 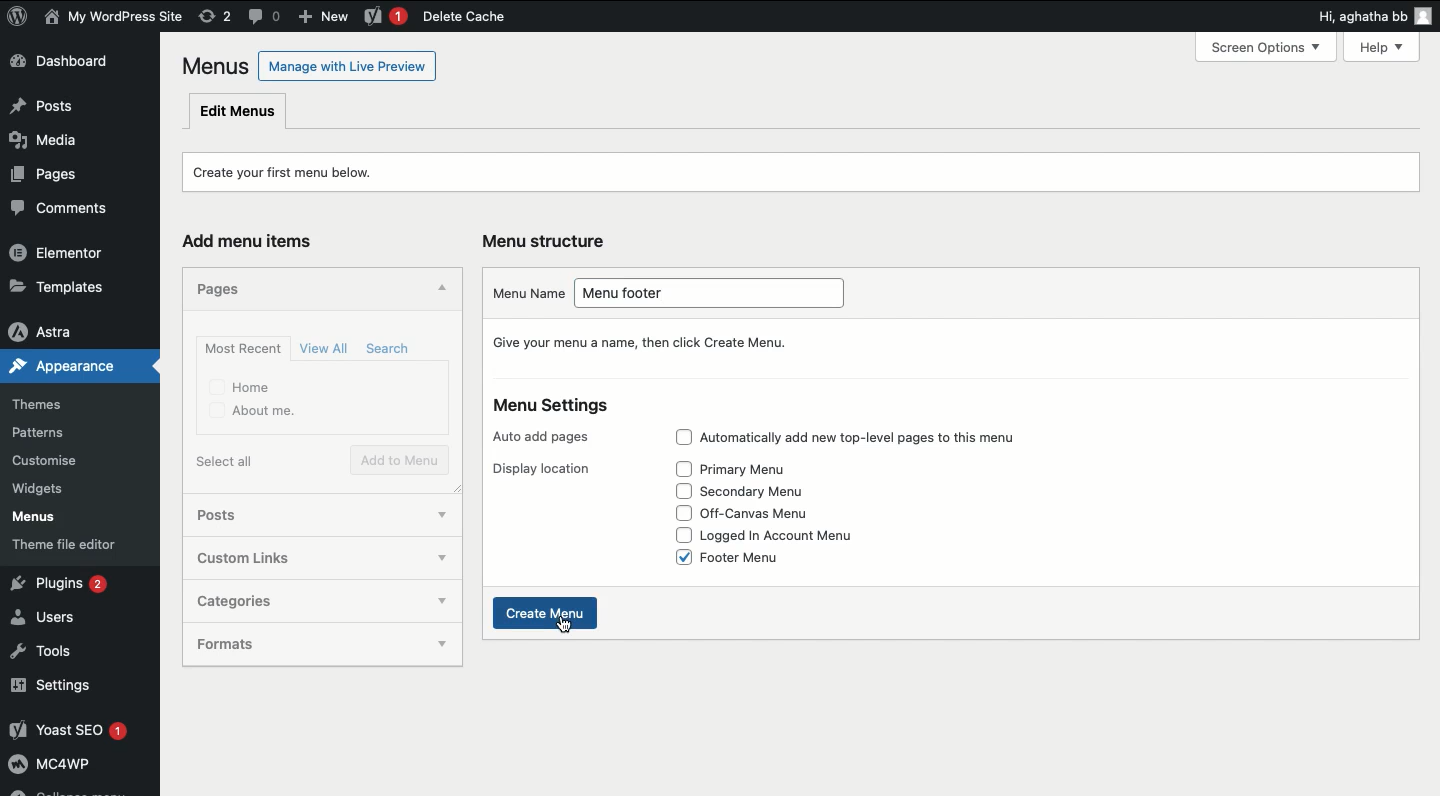 What do you see at coordinates (43, 179) in the screenshot?
I see `Pages` at bounding box center [43, 179].